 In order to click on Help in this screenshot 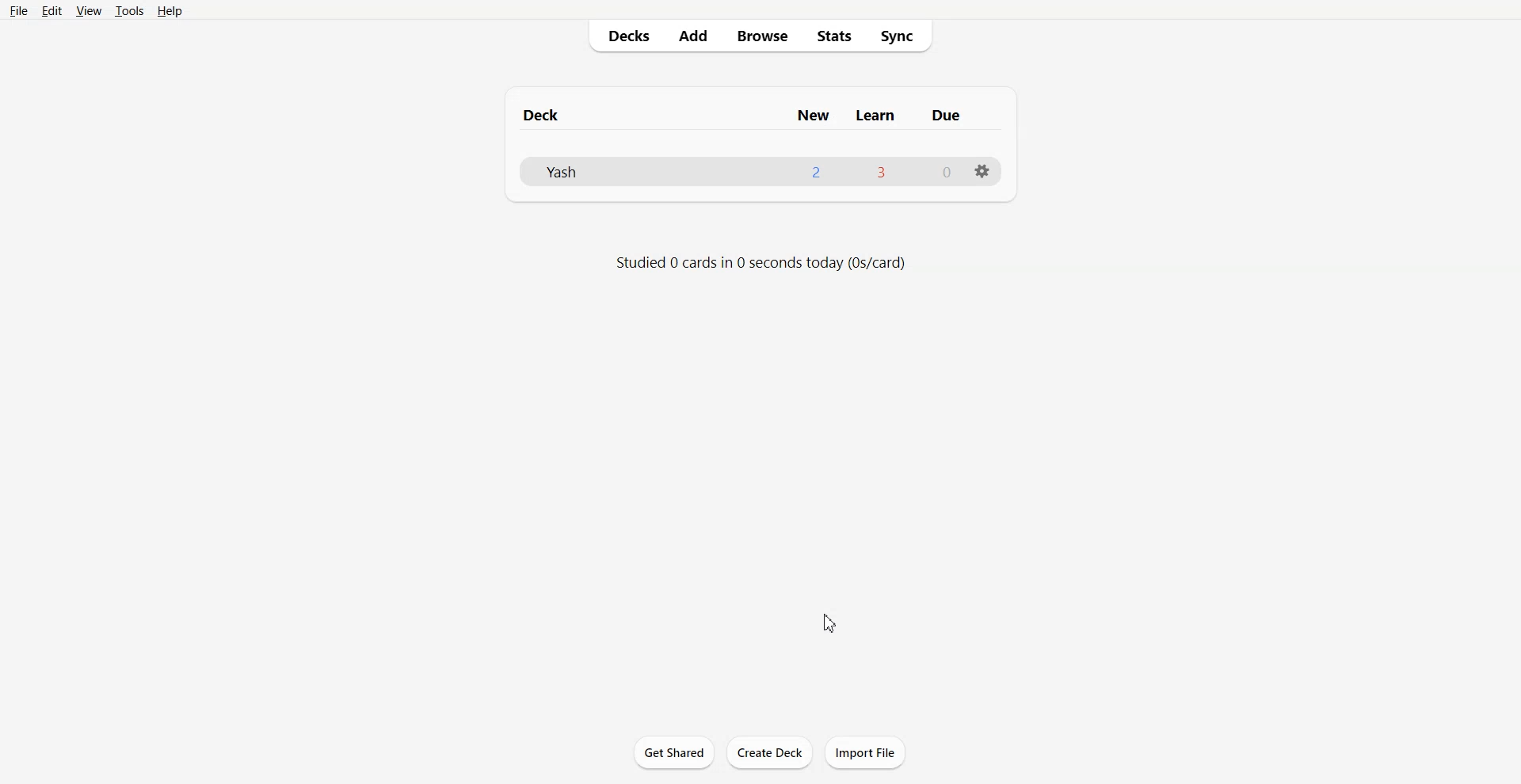, I will do `click(169, 11)`.